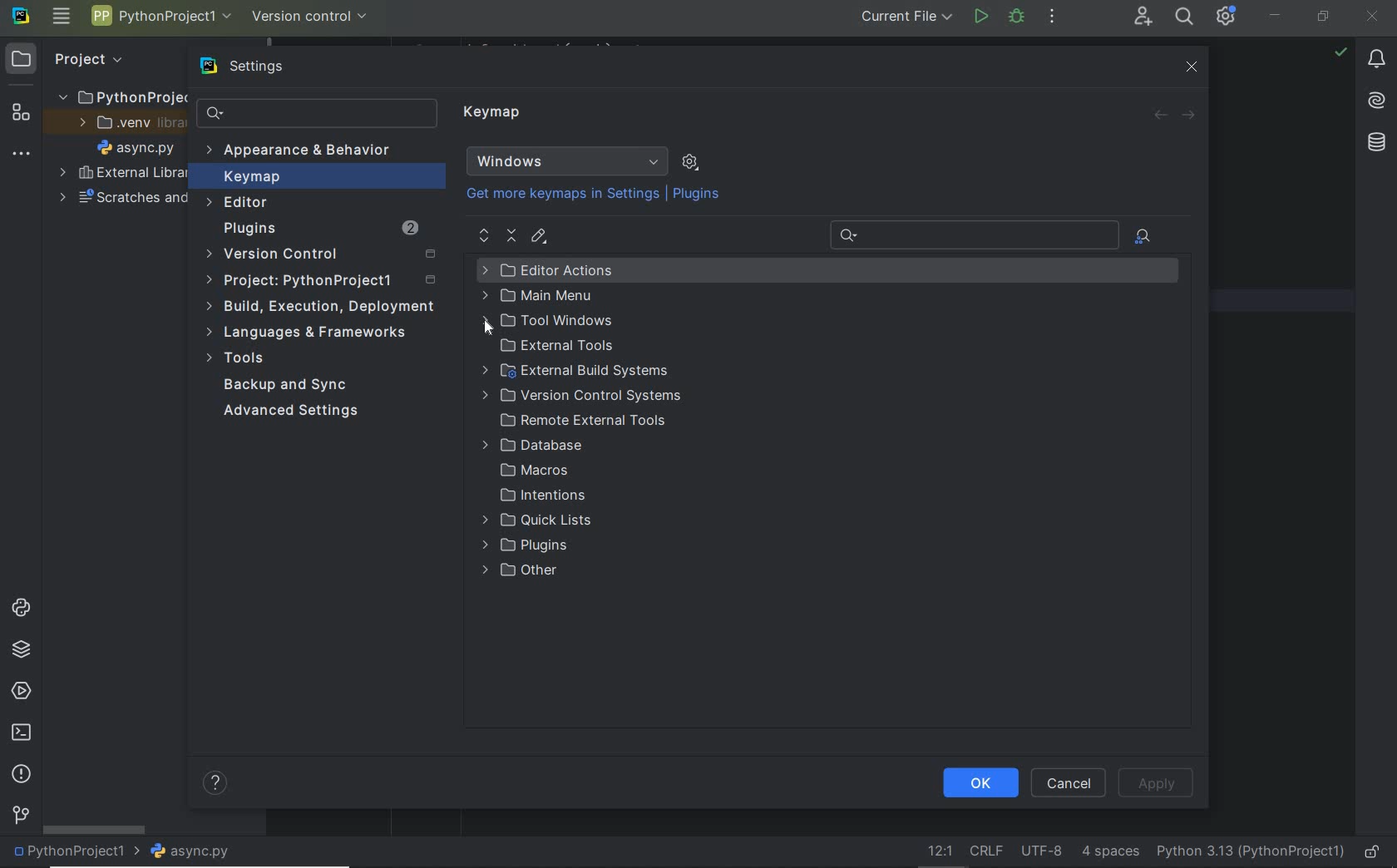 The width and height of the screenshot is (1397, 868). I want to click on find actions by shortcut, so click(1143, 236).